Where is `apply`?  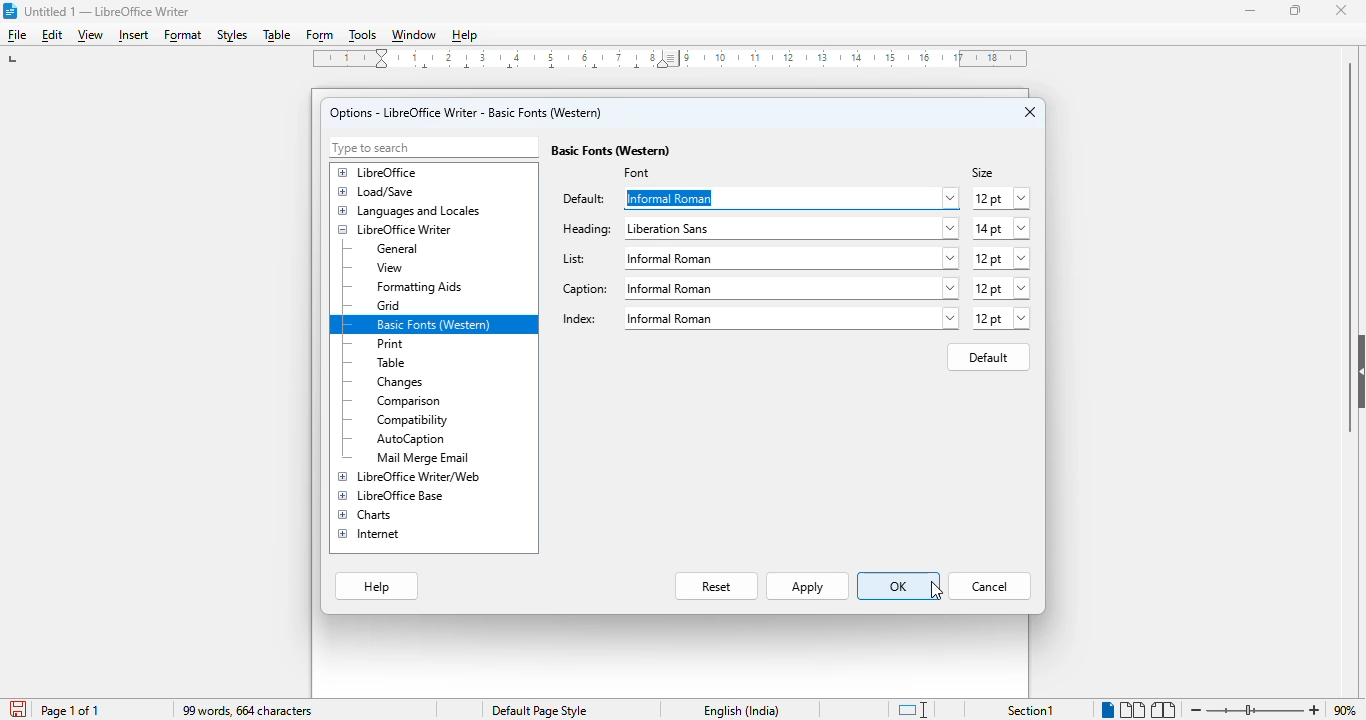 apply is located at coordinates (807, 587).